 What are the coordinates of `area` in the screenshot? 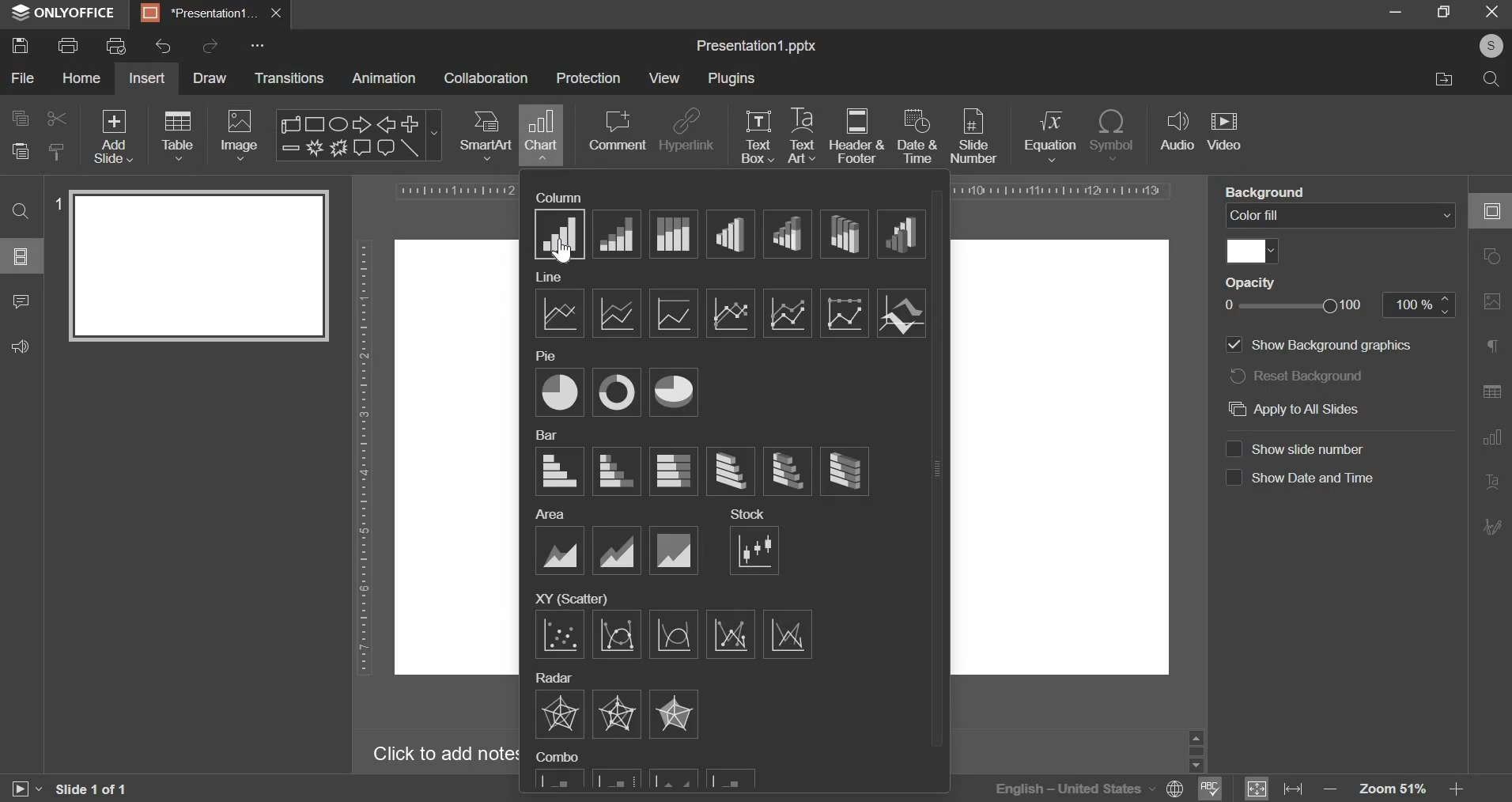 It's located at (551, 516).